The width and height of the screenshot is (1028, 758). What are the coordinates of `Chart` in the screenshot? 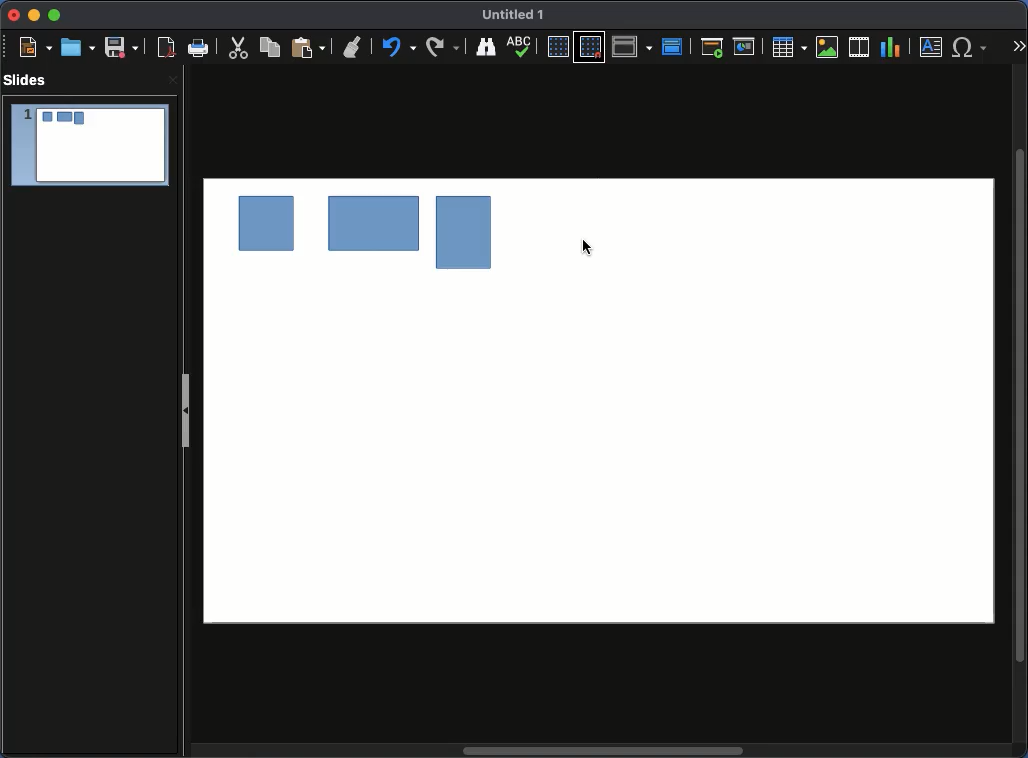 It's located at (892, 48).